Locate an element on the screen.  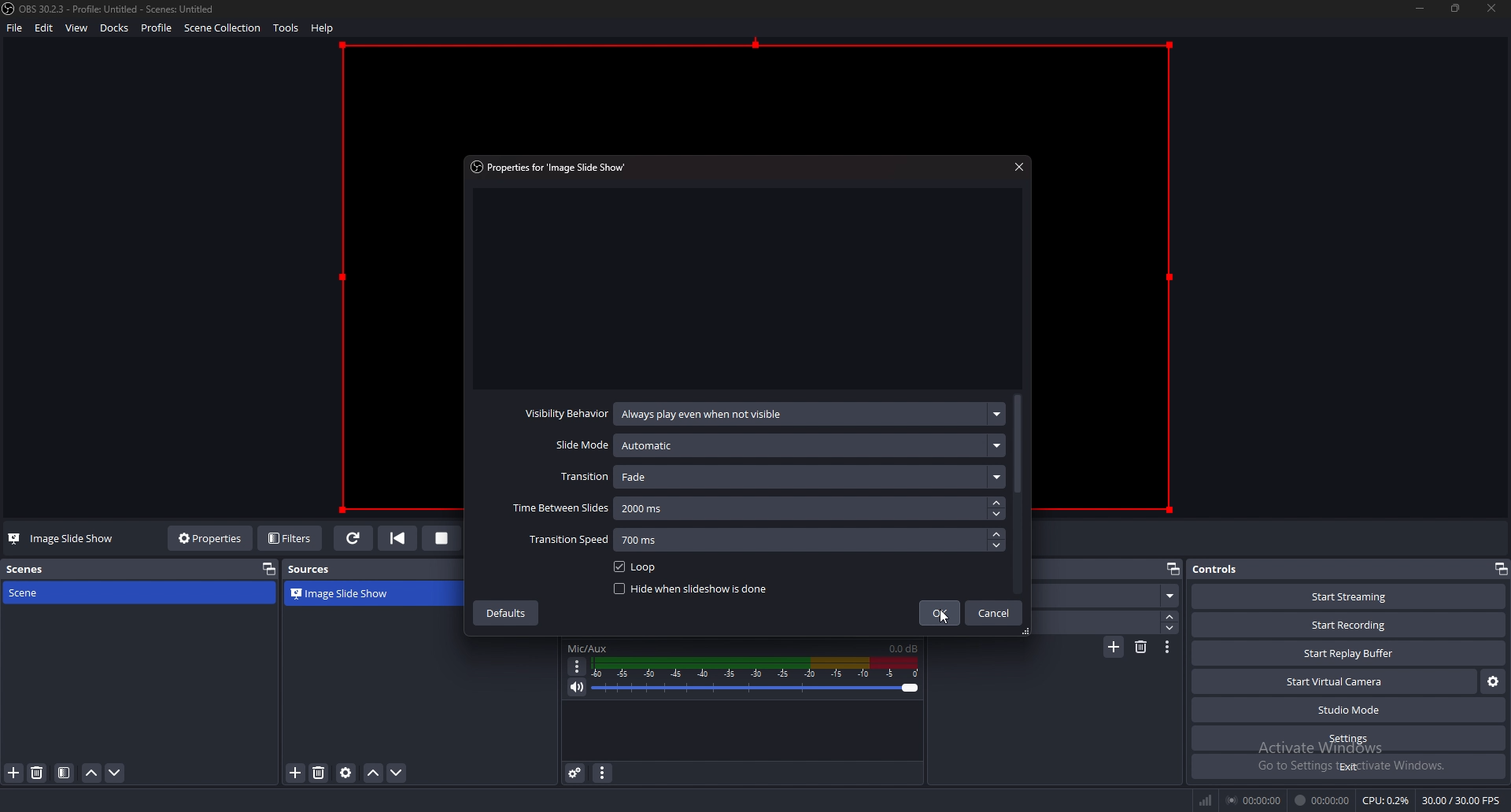
hide when slideshow is done is located at coordinates (693, 589).